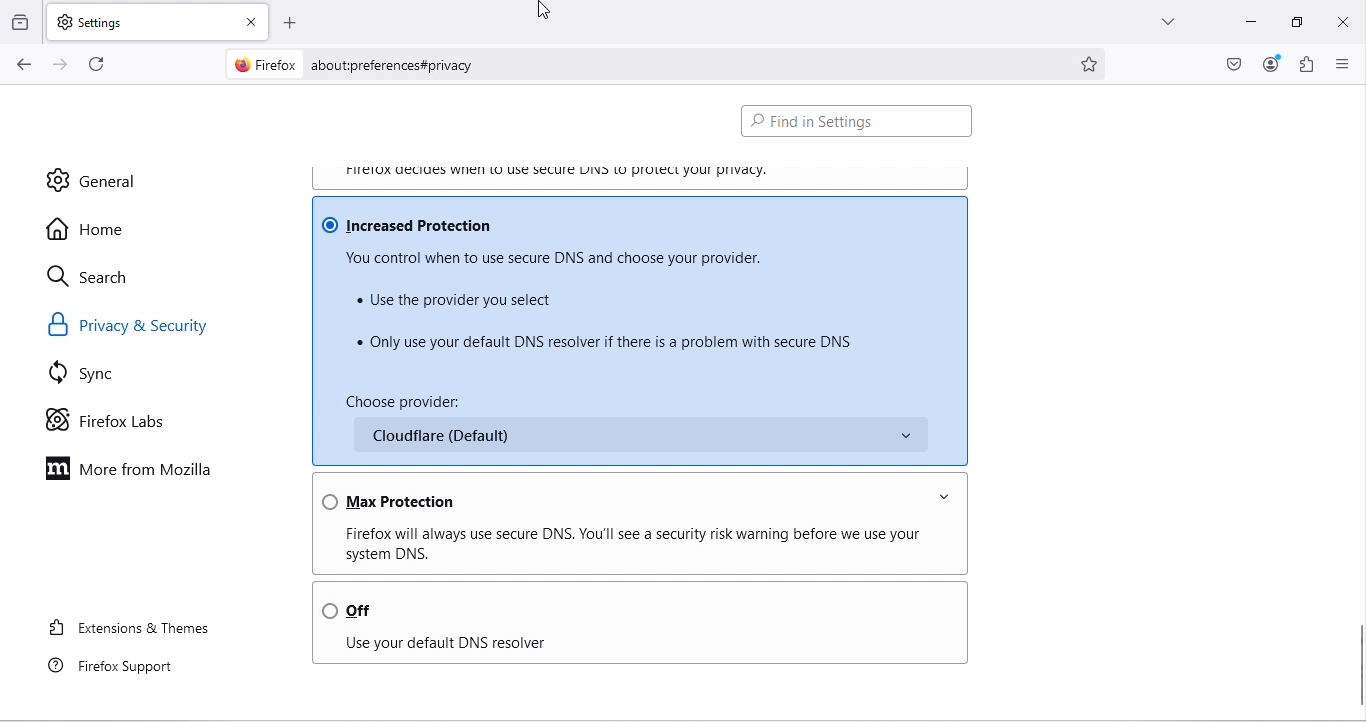  What do you see at coordinates (92, 376) in the screenshot?
I see `Sync` at bounding box center [92, 376].